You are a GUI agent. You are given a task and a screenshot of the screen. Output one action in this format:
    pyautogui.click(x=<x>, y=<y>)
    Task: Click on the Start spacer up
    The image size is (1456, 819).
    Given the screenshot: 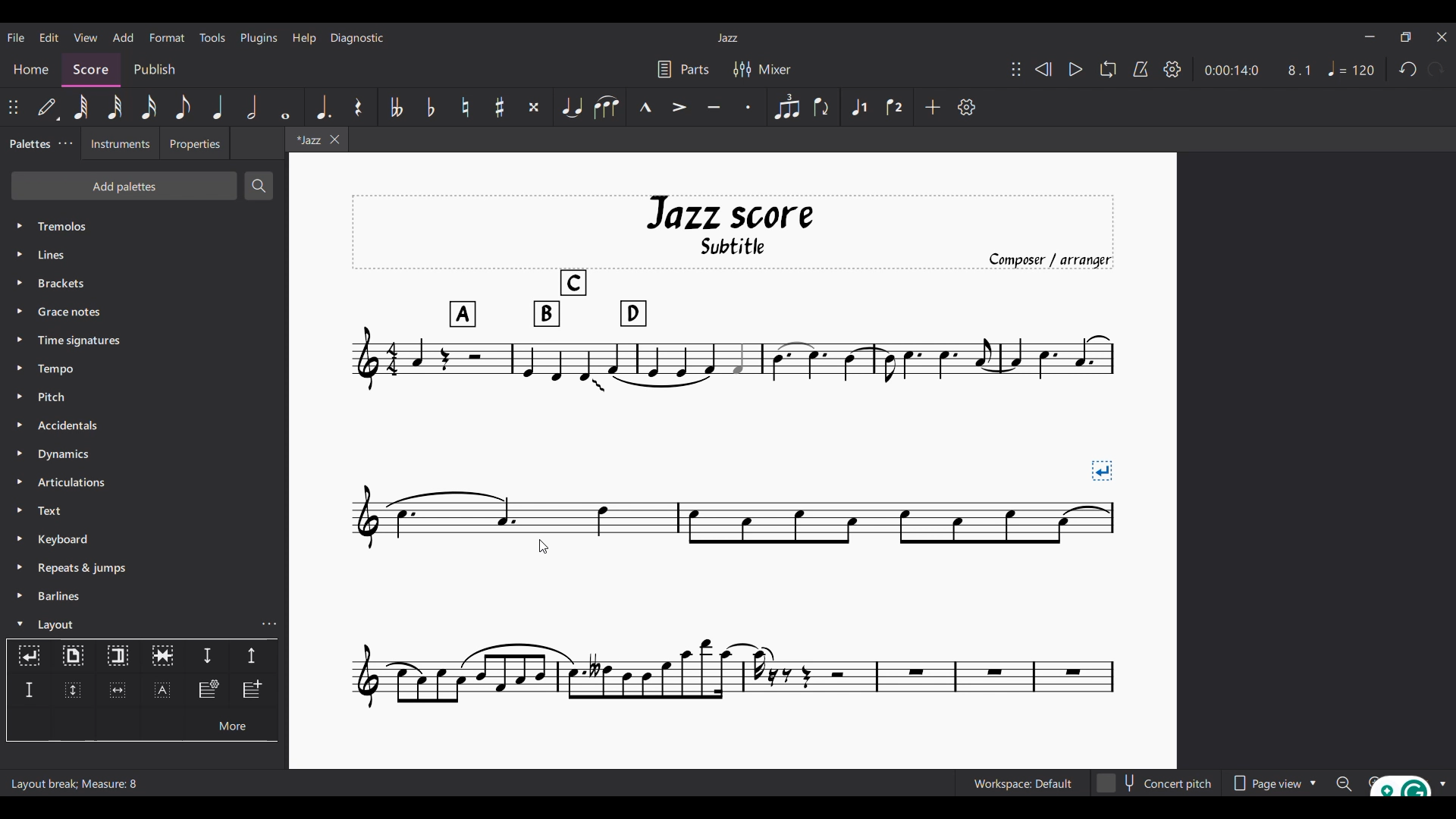 What is the action you would take?
    pyautogui.click(x=253, y=657)
    